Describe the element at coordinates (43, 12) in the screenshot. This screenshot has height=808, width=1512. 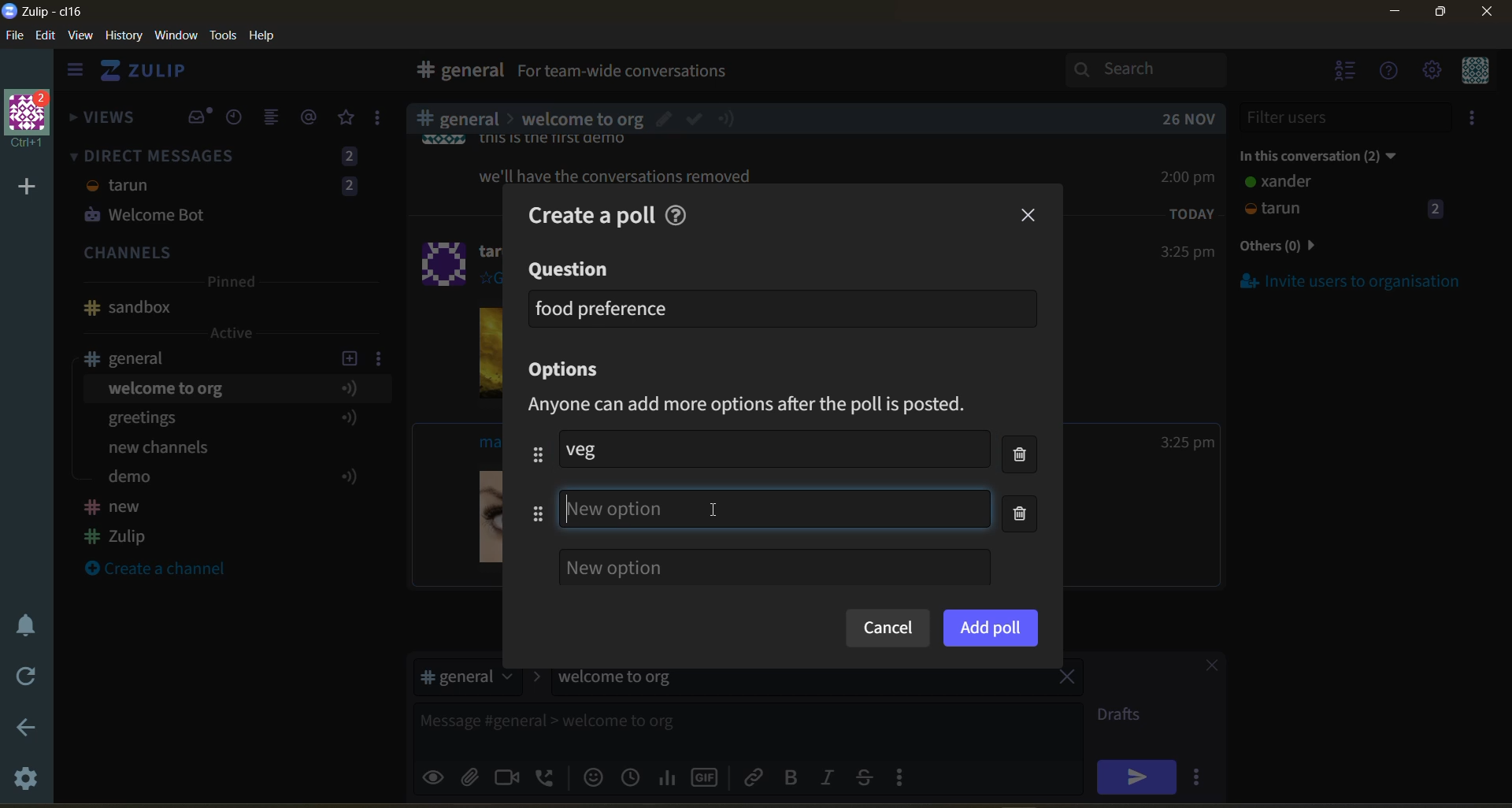
I see `app name and organisation name` at that location.